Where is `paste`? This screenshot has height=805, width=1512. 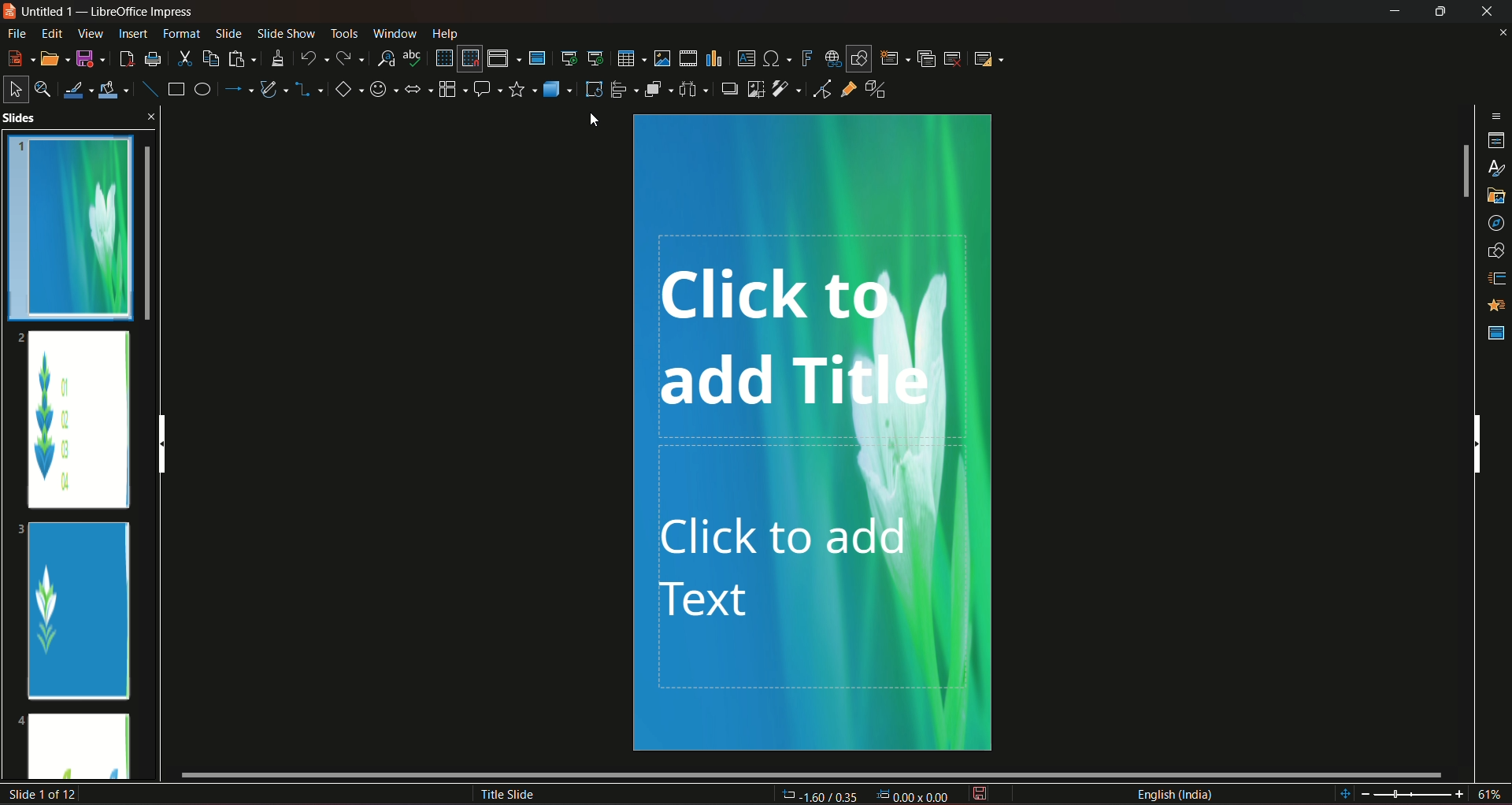 paste is located at coordinates (243, 58).